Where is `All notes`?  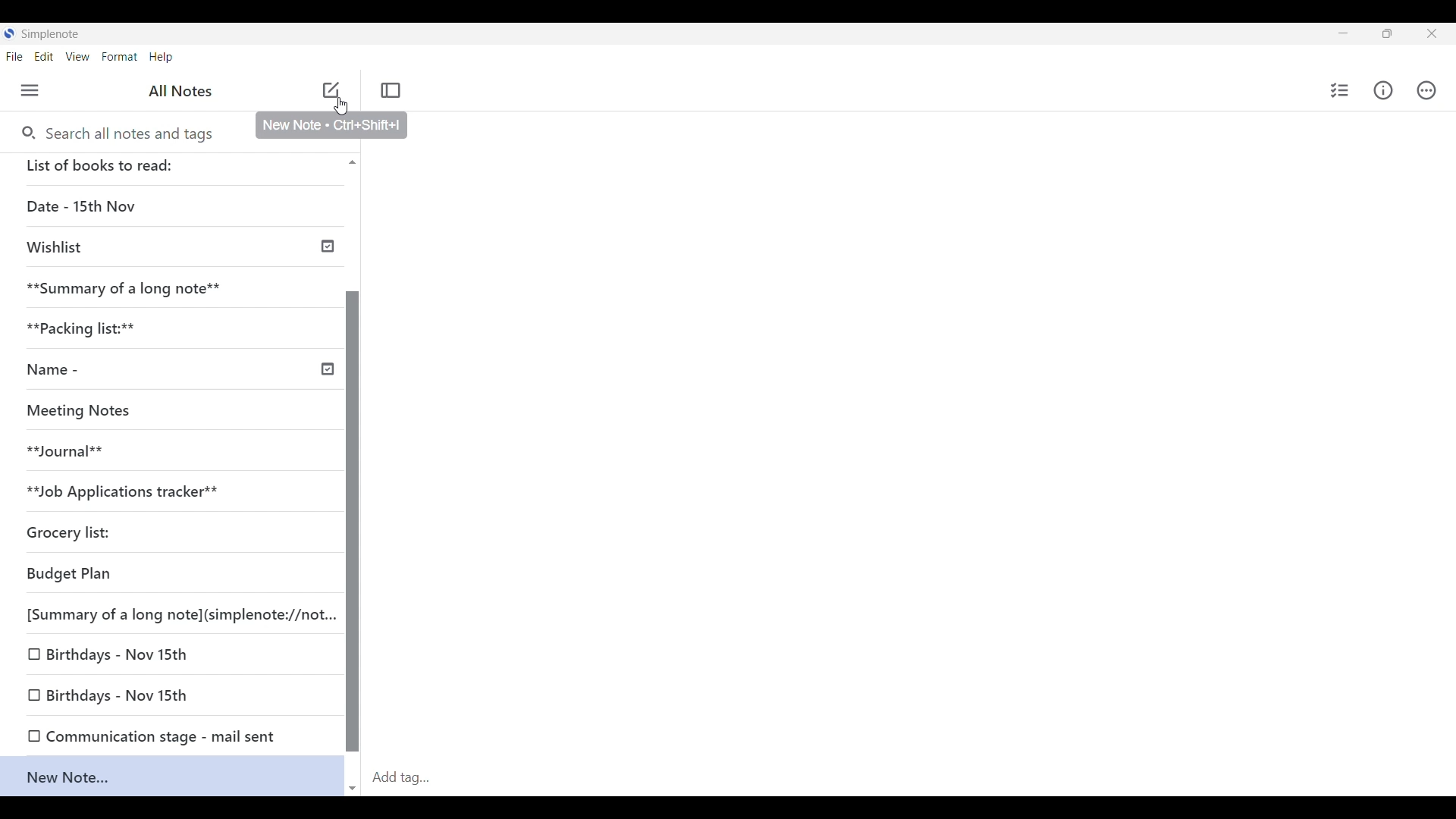
All notes is located at coordinates (184, 91).